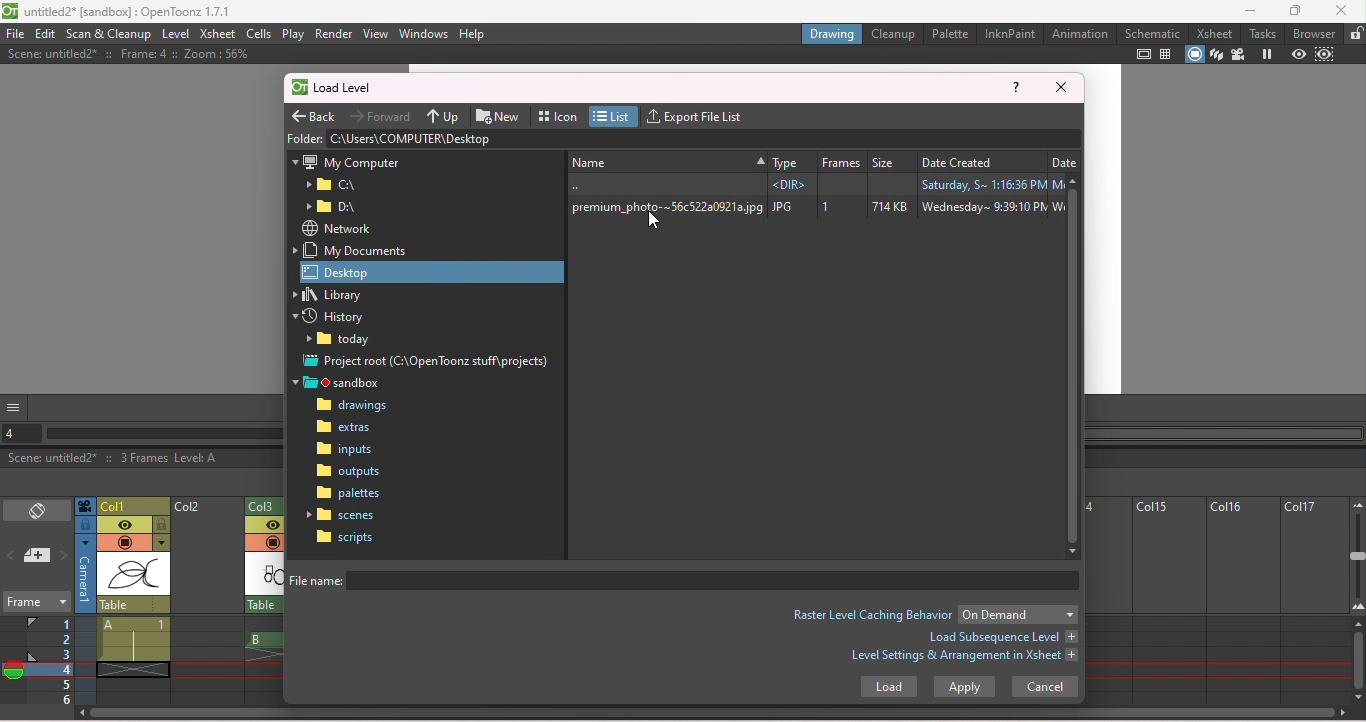 Image resolution: width=1366 pixels, height=722 pixels. Describe the element at coordinates (1217, 55) in the screenshot. I see `3D view` at that location.